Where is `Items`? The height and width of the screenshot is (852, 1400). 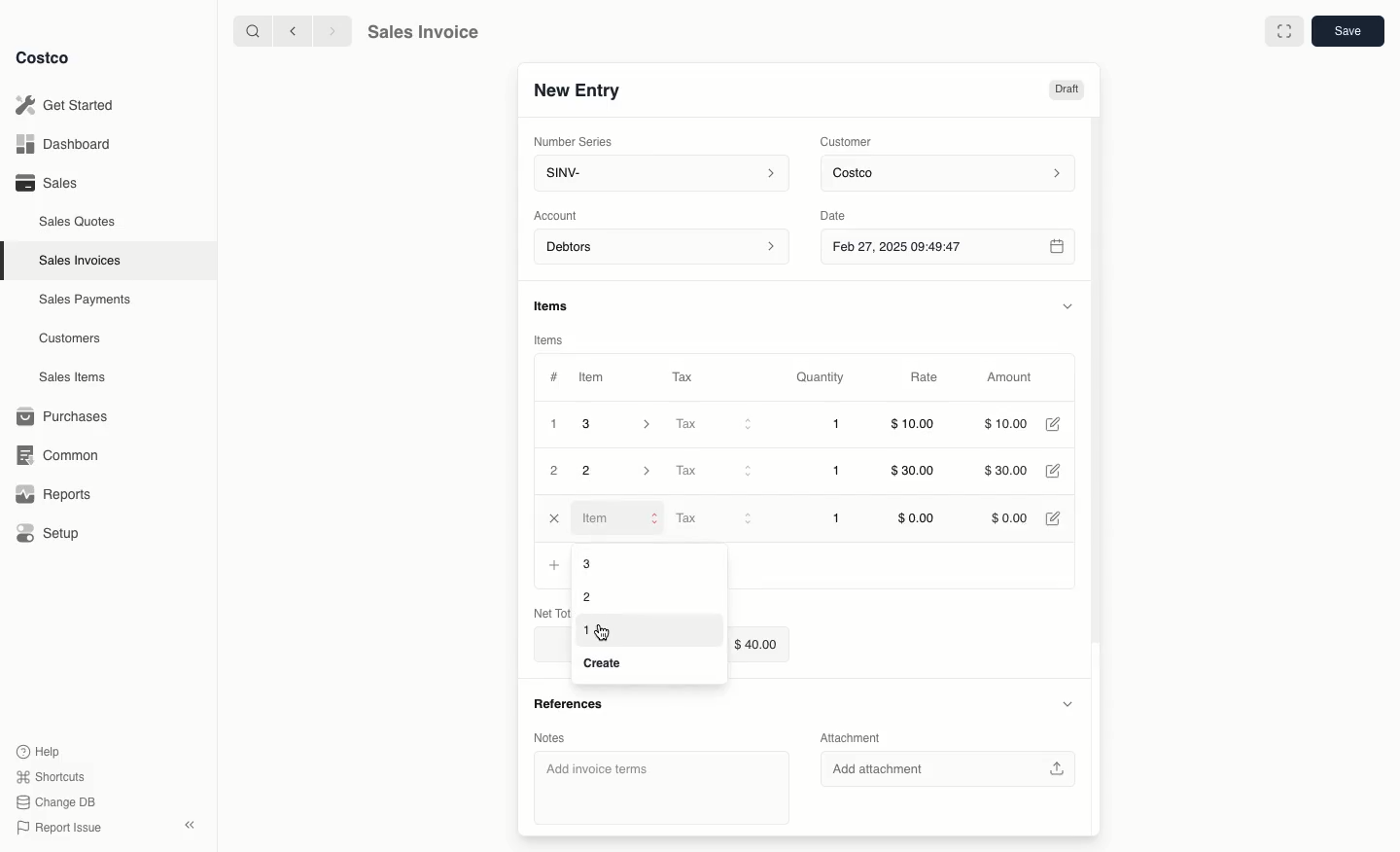 Items is located at coordinates (552, 340).